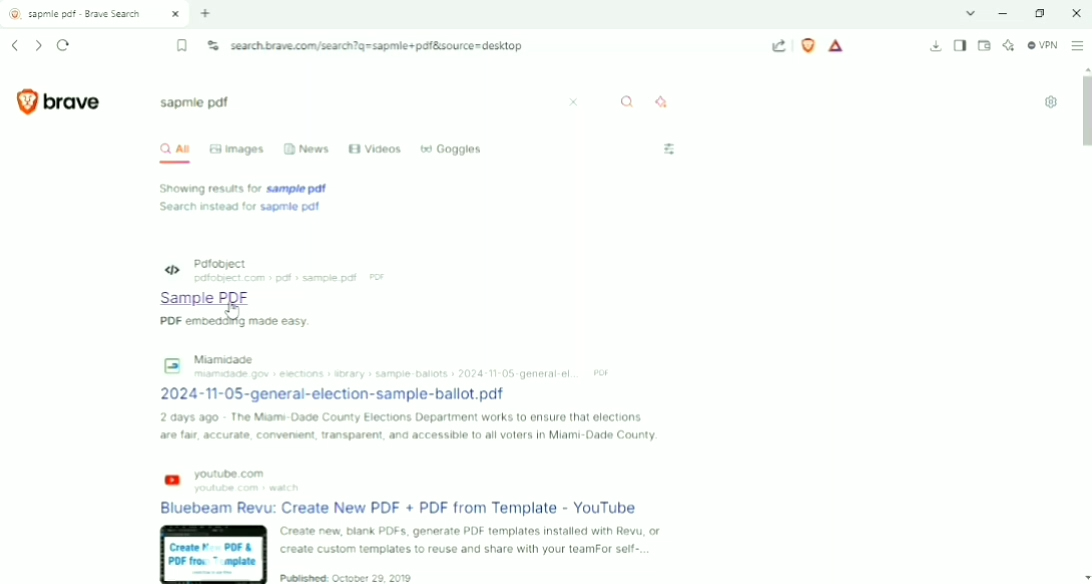 The height and width of the screenshot is (584, 1092). Describe the element at coordinates (470, 541) in the screenshot. I see `(Create new. blank PDFs. generate POF templates installed with Revu, or
Create custom templates to reuse and share with your teamFor seif-.` at that location.